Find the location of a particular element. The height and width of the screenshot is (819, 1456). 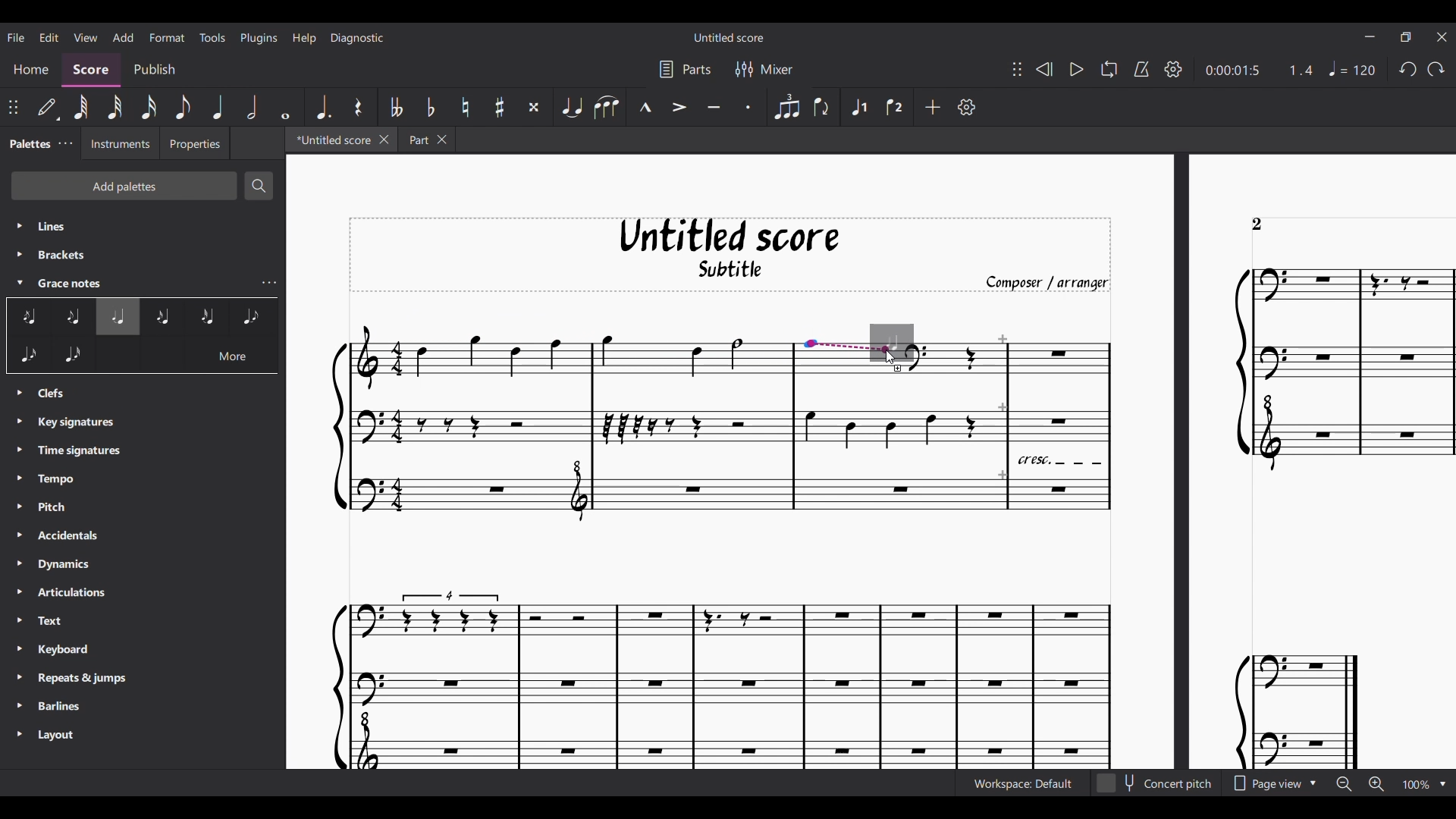

expand respective palette is located at coordinates (20, 242).